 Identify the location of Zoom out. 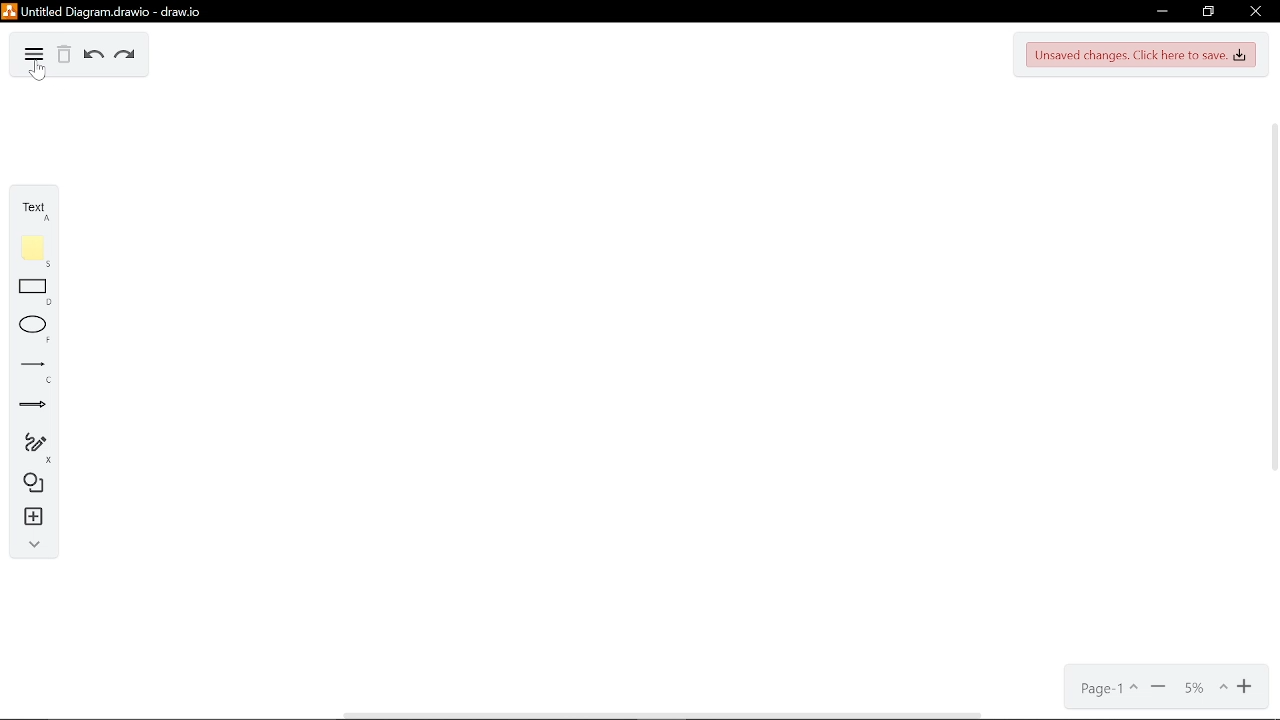
(1158, 688).